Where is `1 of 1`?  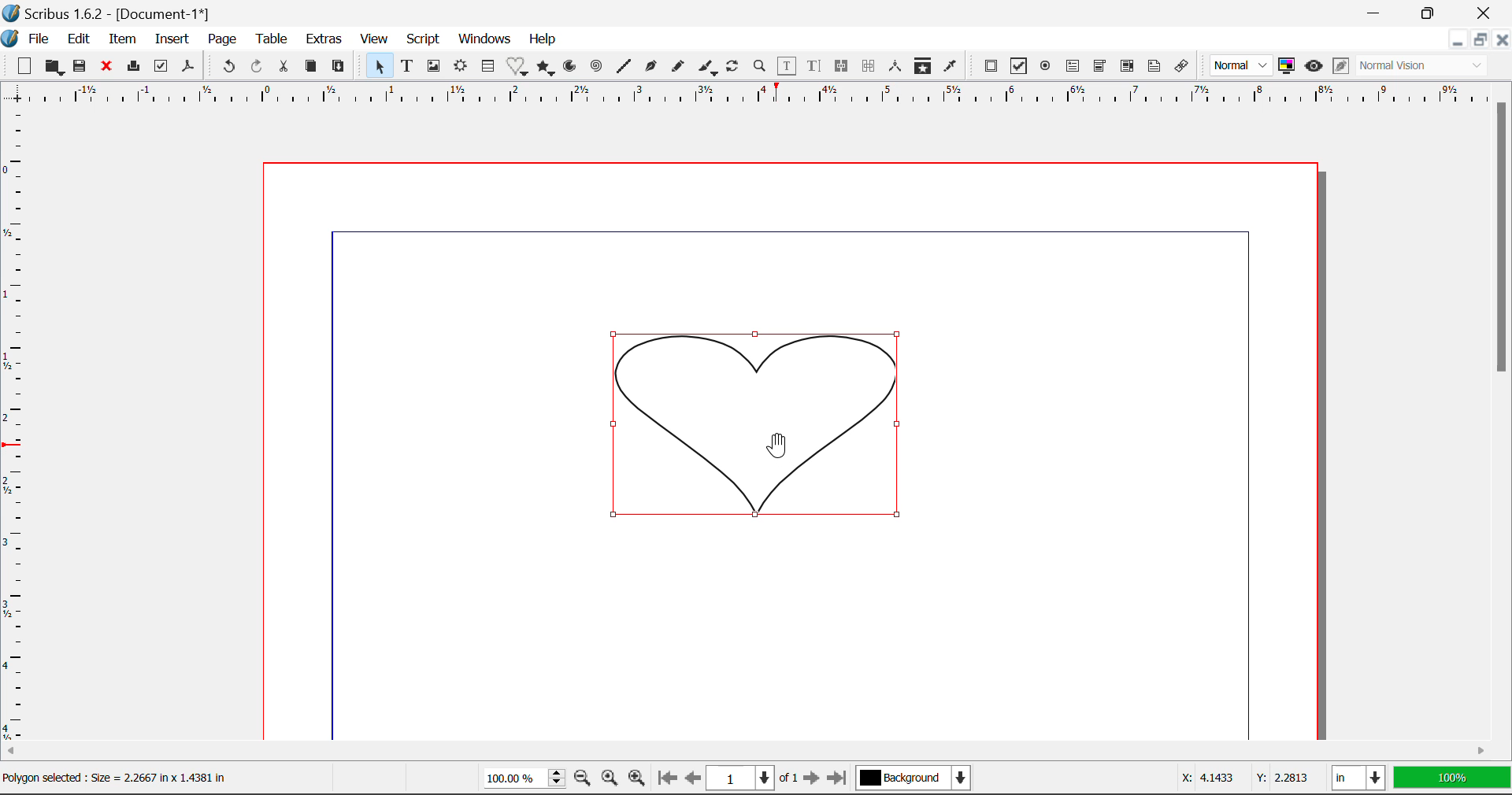
1 of 1 is located at coordinates (755, 778).